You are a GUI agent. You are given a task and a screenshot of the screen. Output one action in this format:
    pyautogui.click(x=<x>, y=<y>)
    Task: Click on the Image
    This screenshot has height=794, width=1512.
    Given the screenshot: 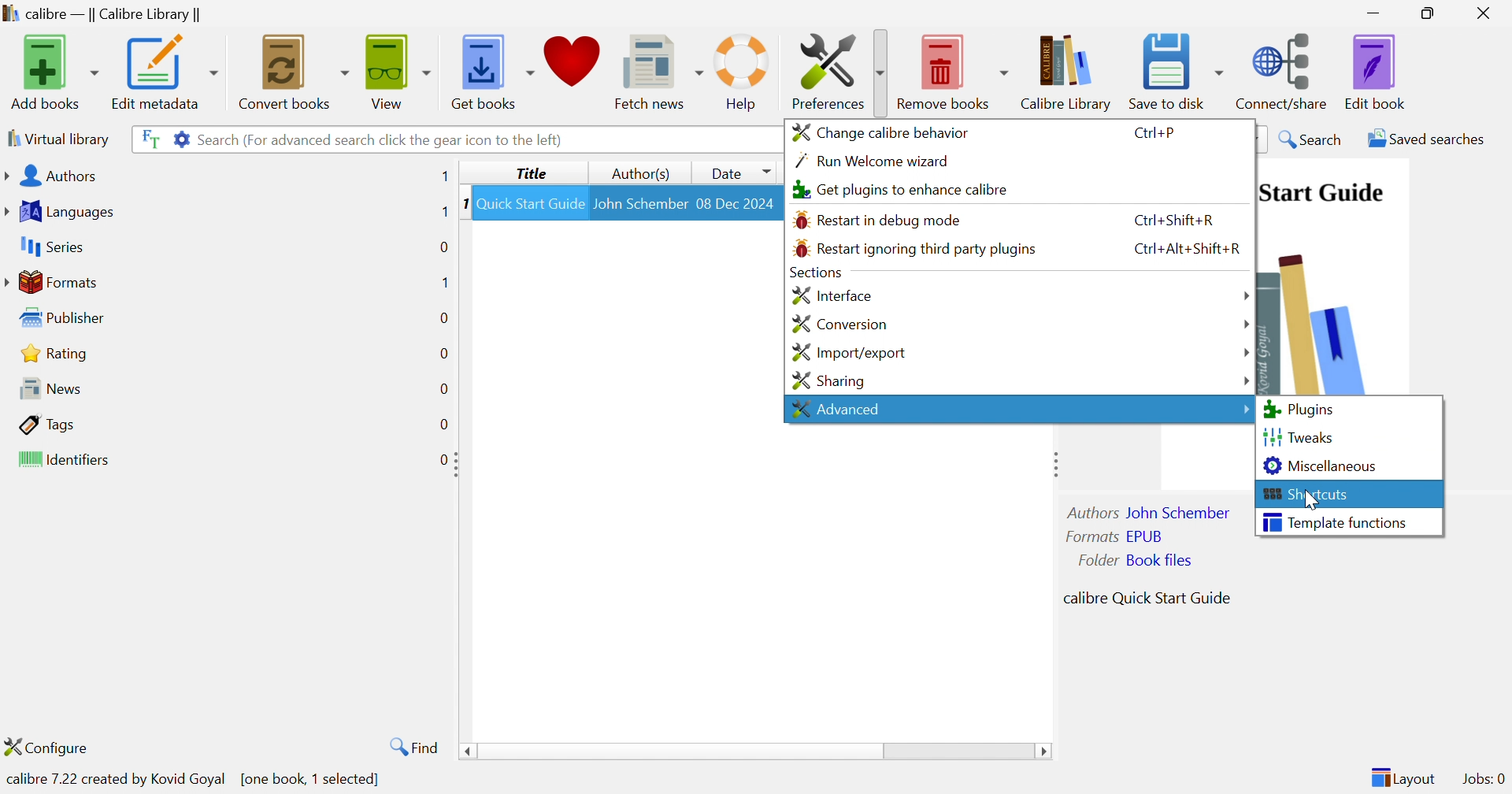 What is the action you would take?
    pyautogui.click(x=1316, y=317)
    